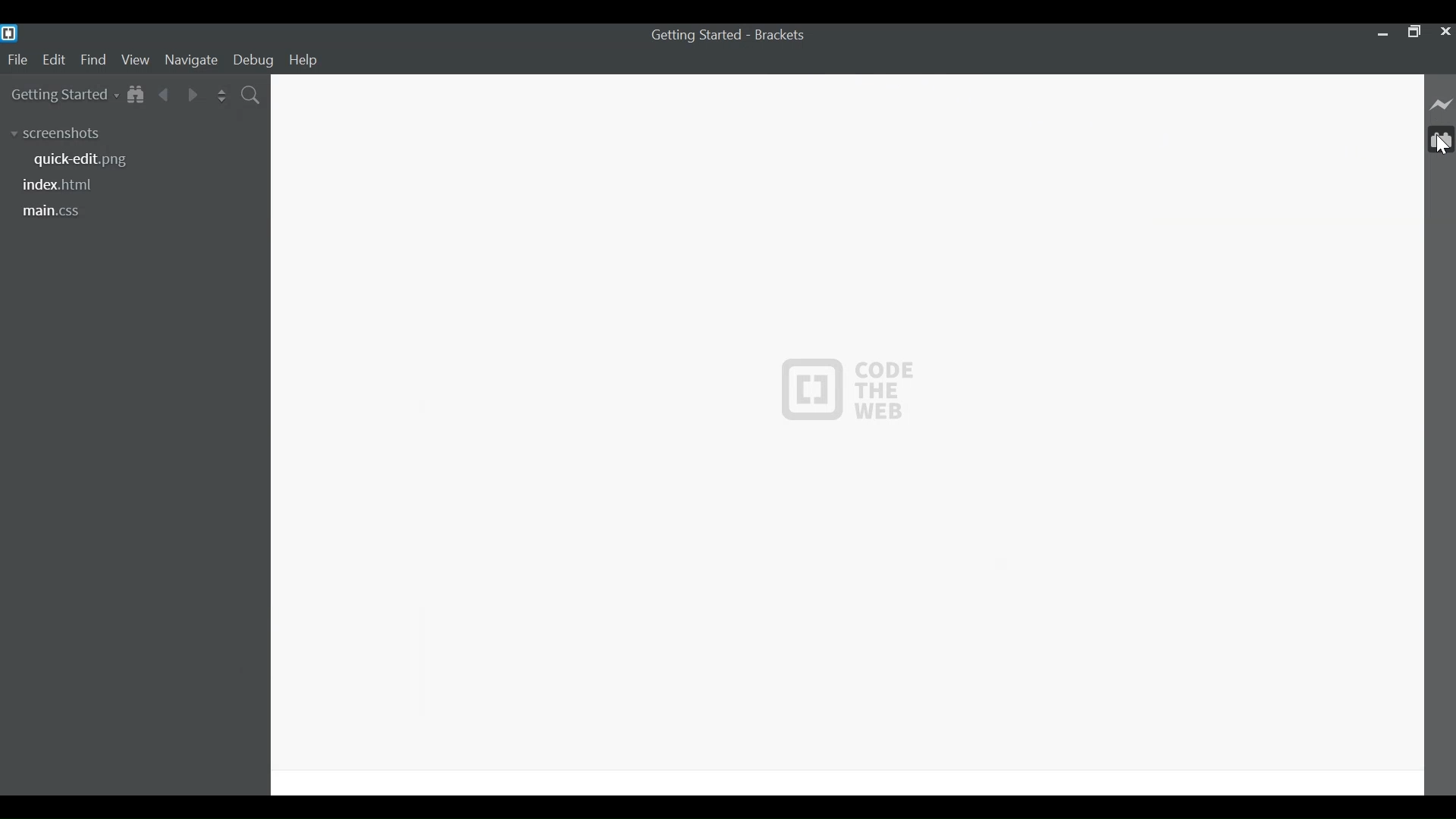 This screenshot has height=819, width=1456. What do you see at coordinates (193, 94) in the screenshot?
I see `Navigate Forward` at bounding box center [193, 94].